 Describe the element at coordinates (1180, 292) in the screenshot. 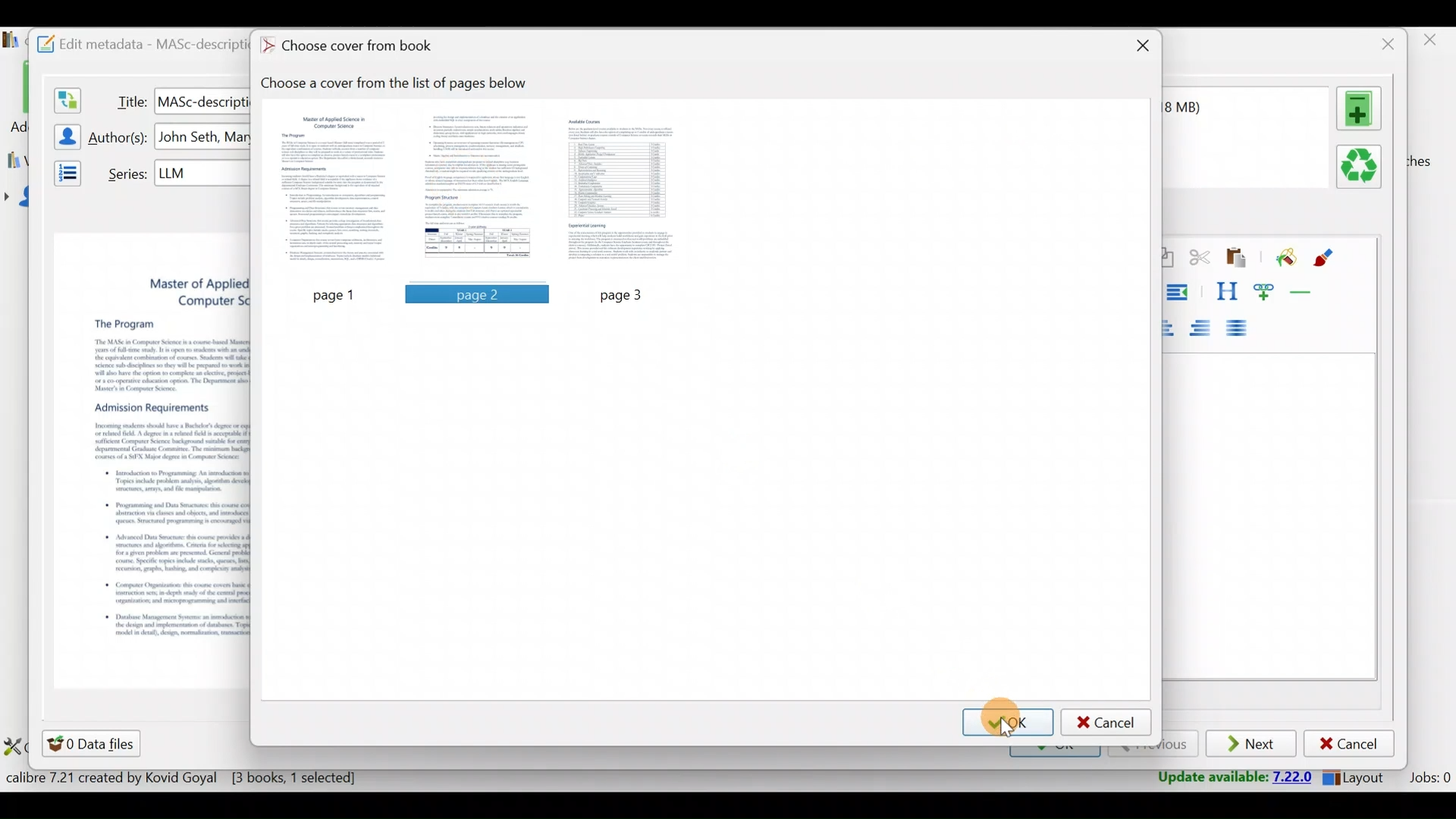

I see `Decrease indentation` at that location.